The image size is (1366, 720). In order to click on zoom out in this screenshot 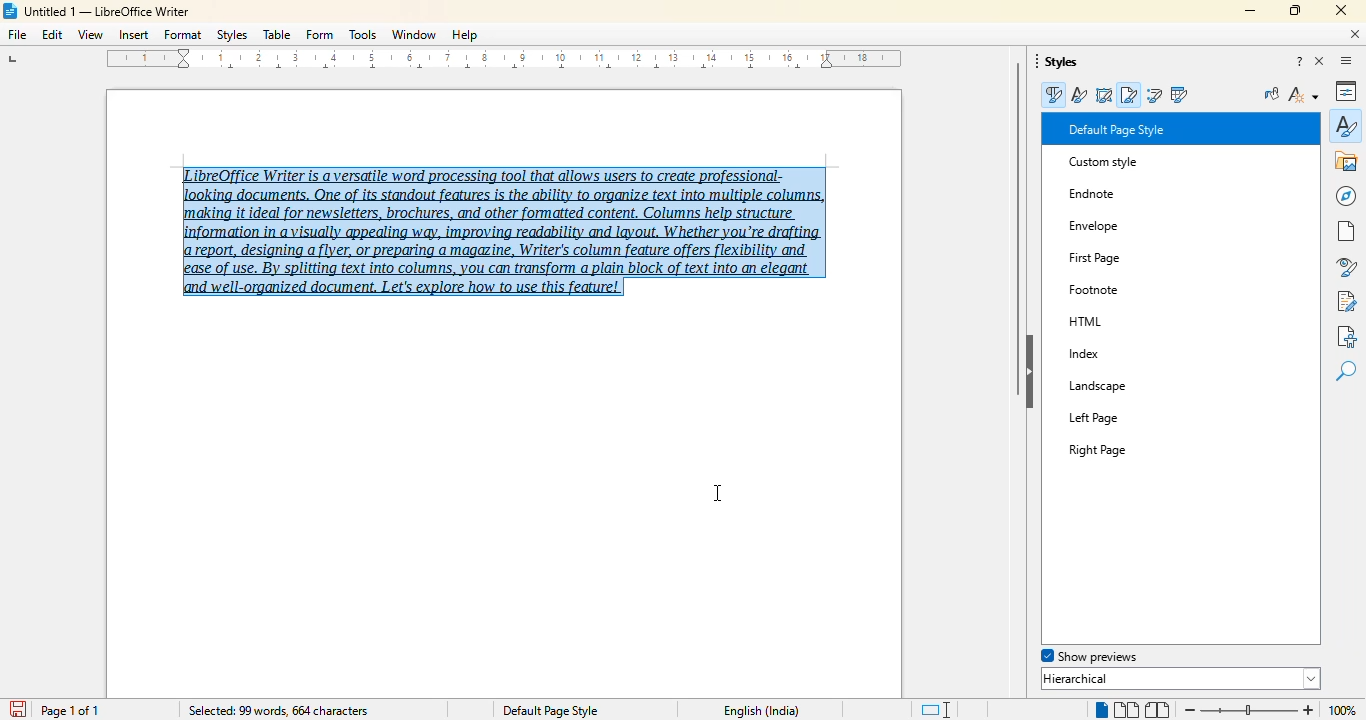, I will do `click(1188, 709)`.